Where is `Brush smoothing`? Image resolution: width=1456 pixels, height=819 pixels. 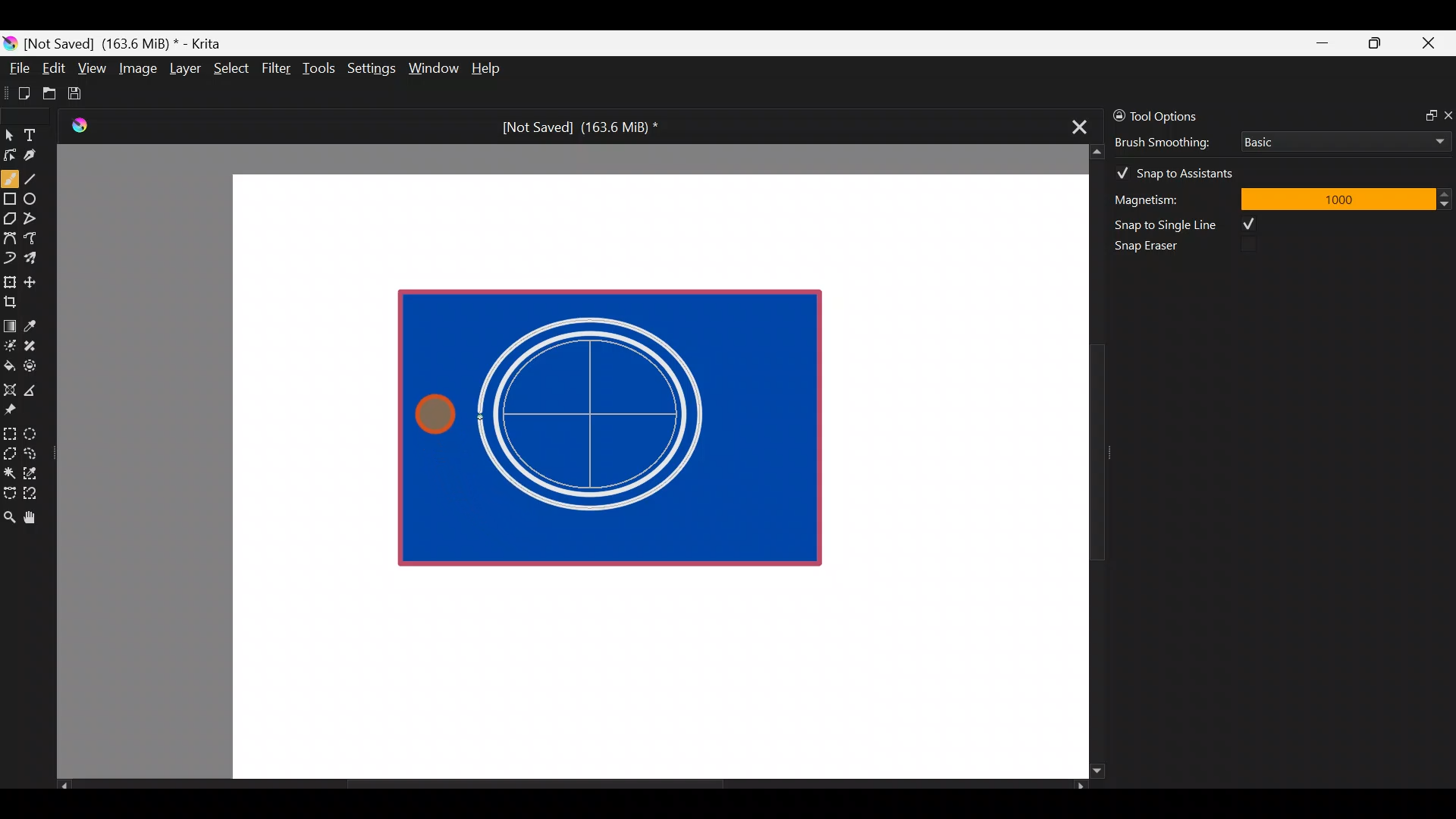 Brush smoothing is located at coordinates (1172, 141).